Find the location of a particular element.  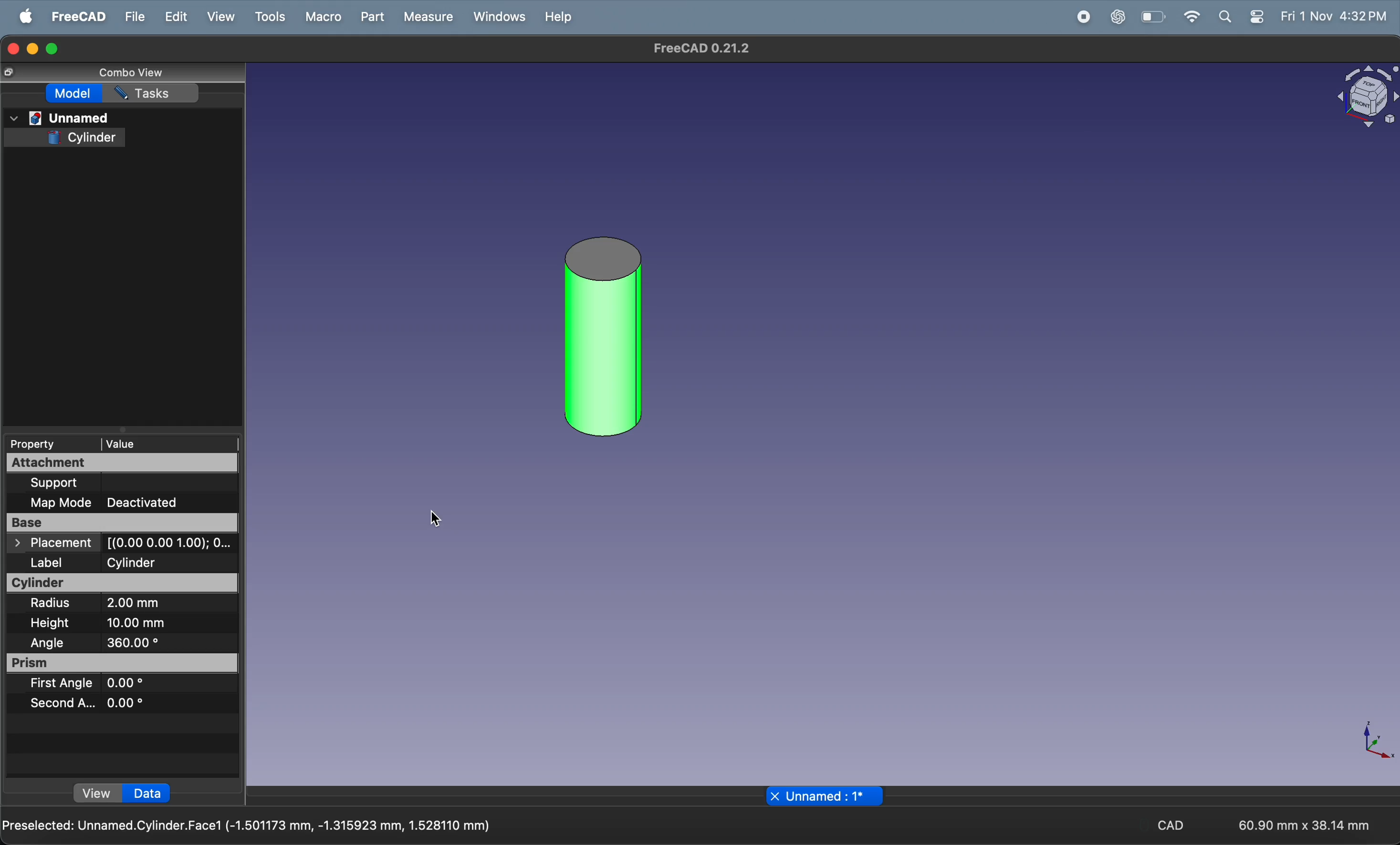

prism is located at coordinates (124, 663).